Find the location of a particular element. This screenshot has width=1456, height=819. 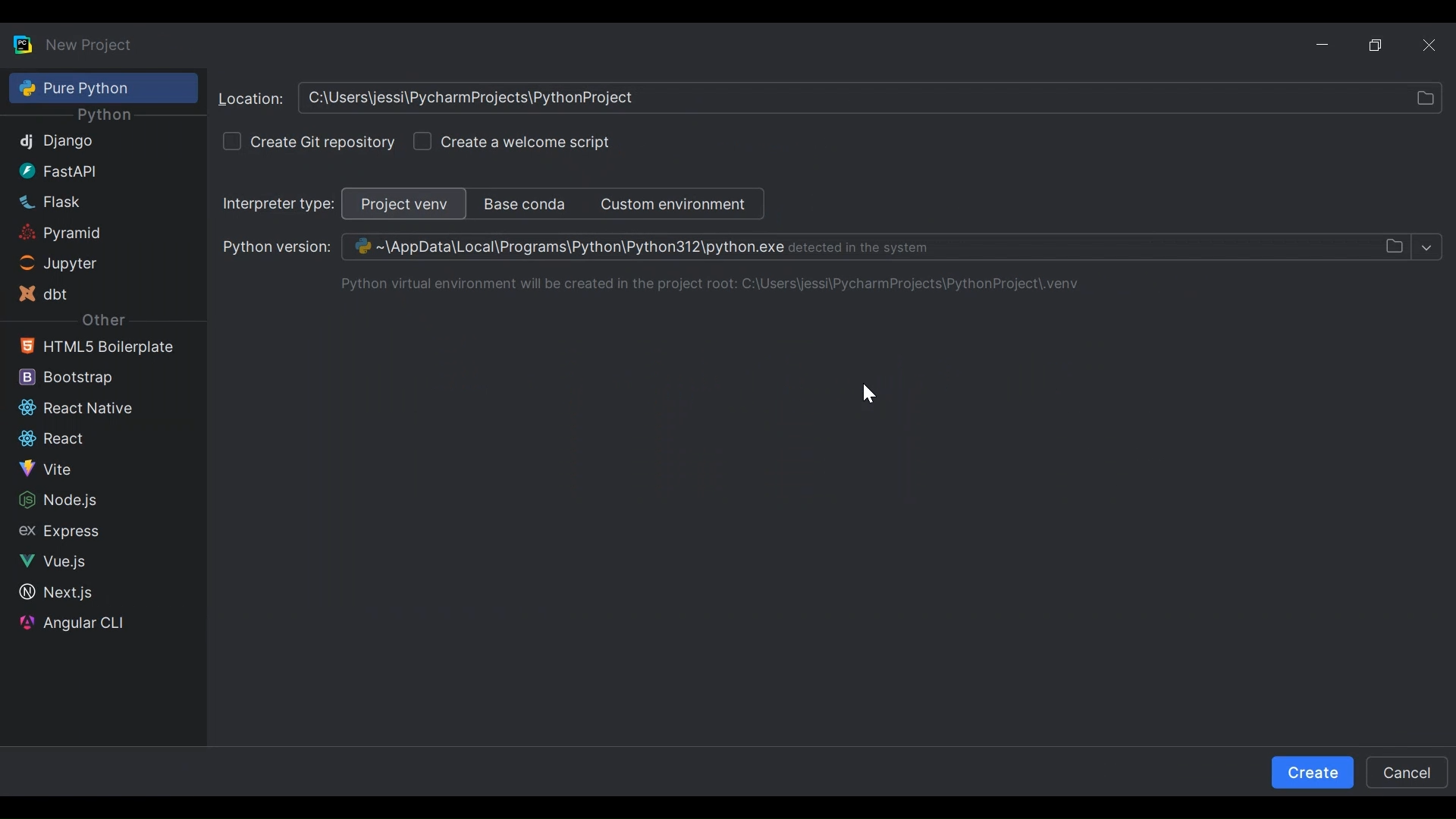

Cancel is located at coordinates (1406, 773).